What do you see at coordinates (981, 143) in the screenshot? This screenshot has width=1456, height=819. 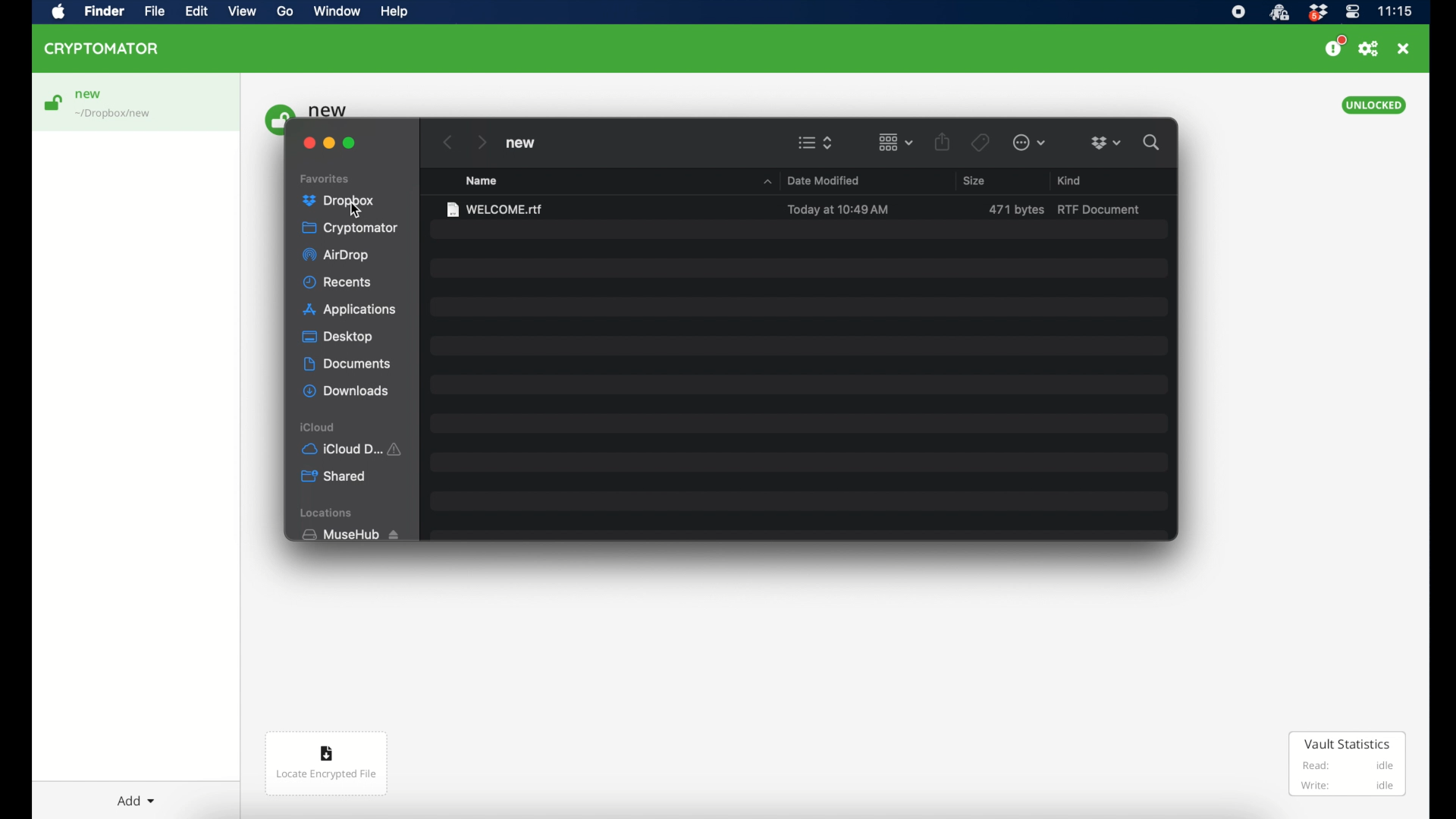 I see `tags` at bounding box center [981, 143].